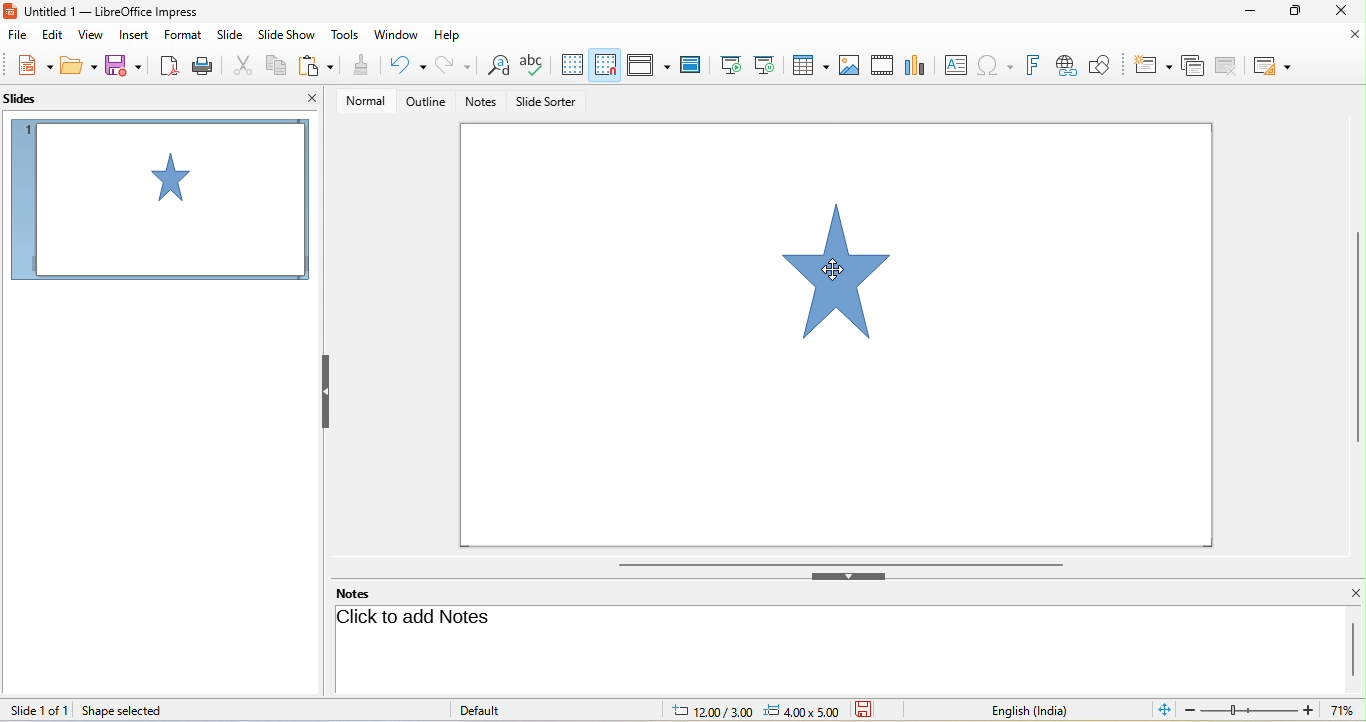 This screenshot has width=1366, height=722. I want to click on undo, so click(403, 65).